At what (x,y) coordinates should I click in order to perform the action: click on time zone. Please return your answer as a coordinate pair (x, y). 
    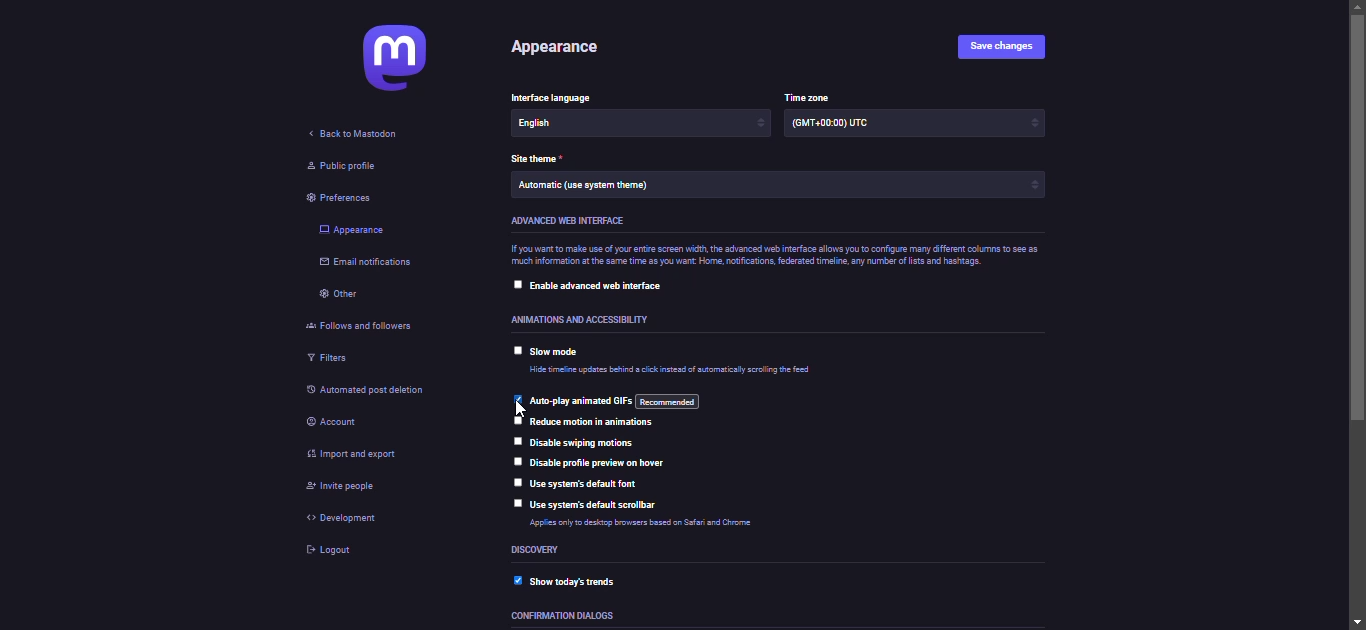
    Looking at the image, I should click on (808, 97).